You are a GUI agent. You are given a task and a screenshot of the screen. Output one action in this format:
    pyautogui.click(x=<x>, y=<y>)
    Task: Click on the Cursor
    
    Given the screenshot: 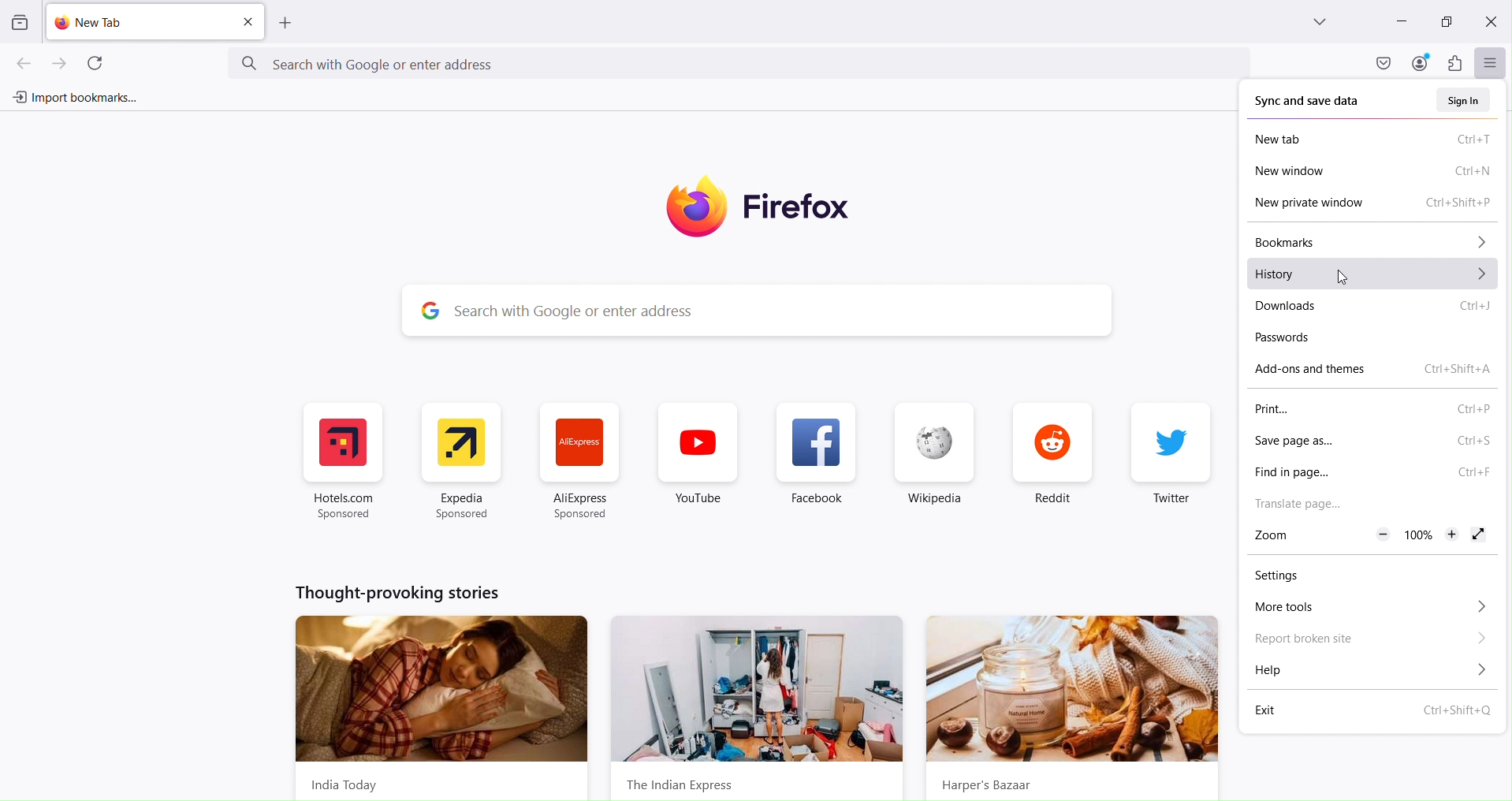 What is the action you would take?
    pyautogui.click(x=1339, y=276)
    